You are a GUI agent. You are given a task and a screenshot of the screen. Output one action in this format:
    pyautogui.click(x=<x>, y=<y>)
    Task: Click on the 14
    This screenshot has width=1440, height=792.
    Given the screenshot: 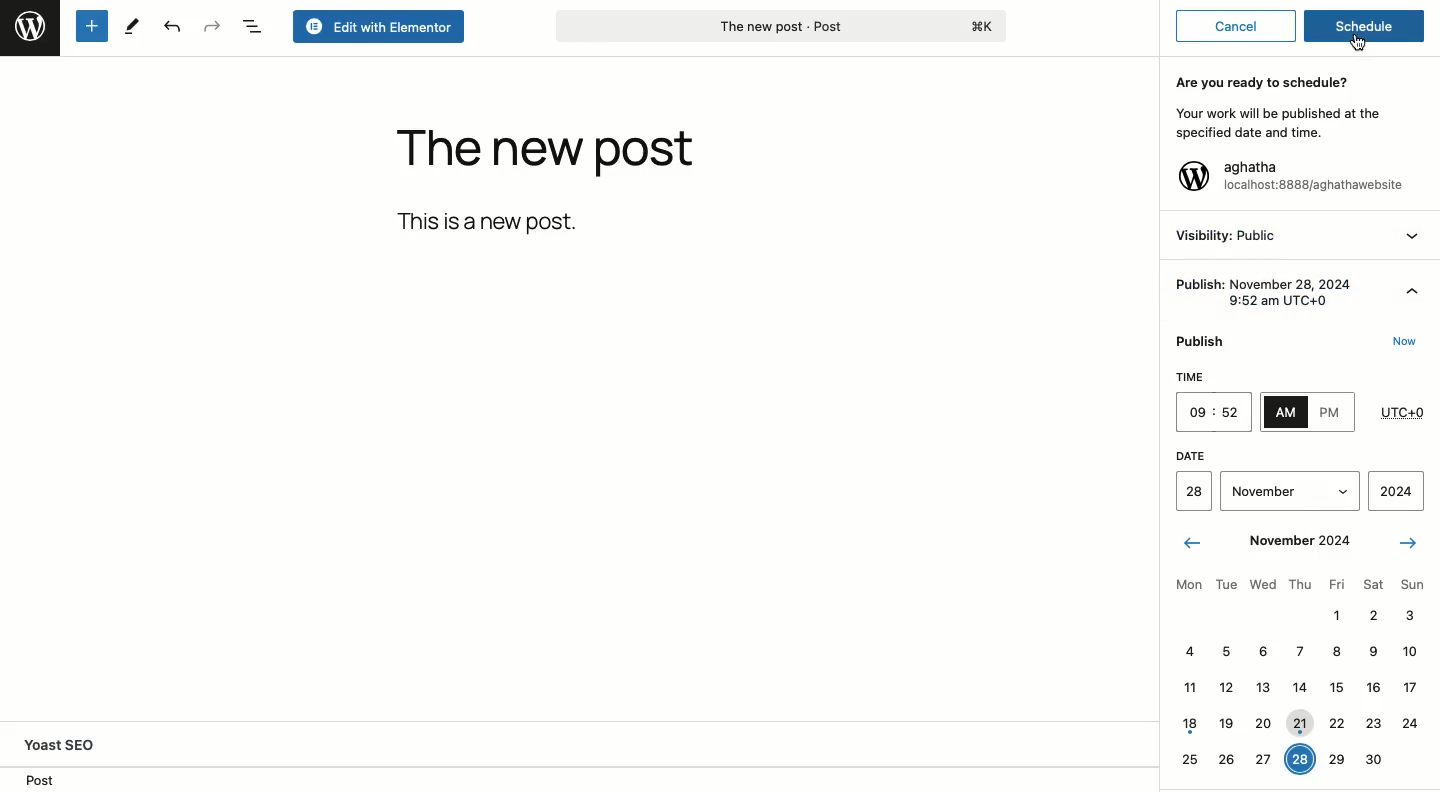 What is the action you would take?
    pyautogui.click(x=1299, y=683)
    